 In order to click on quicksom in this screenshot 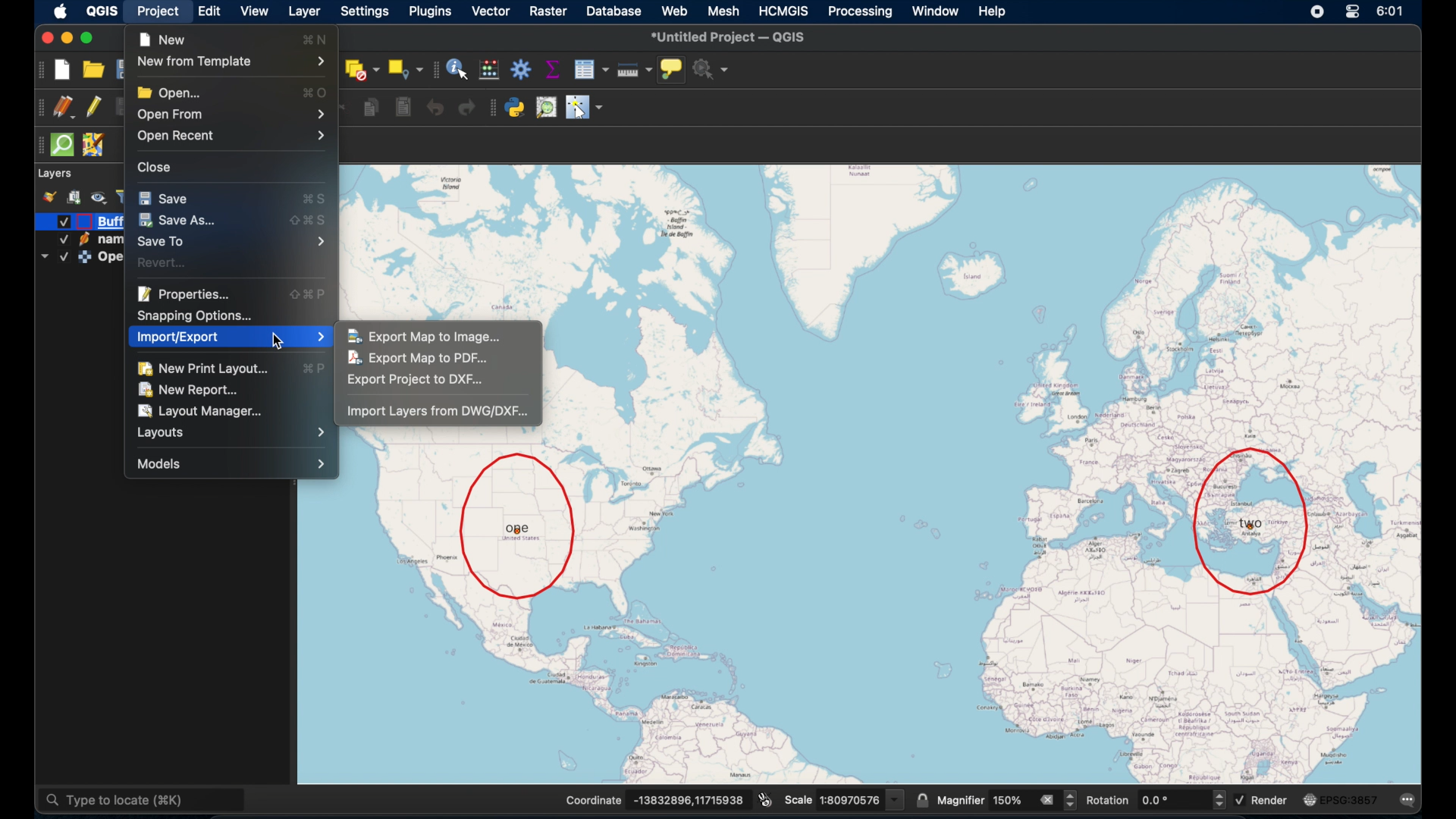, I will do `click(62, 146)`.